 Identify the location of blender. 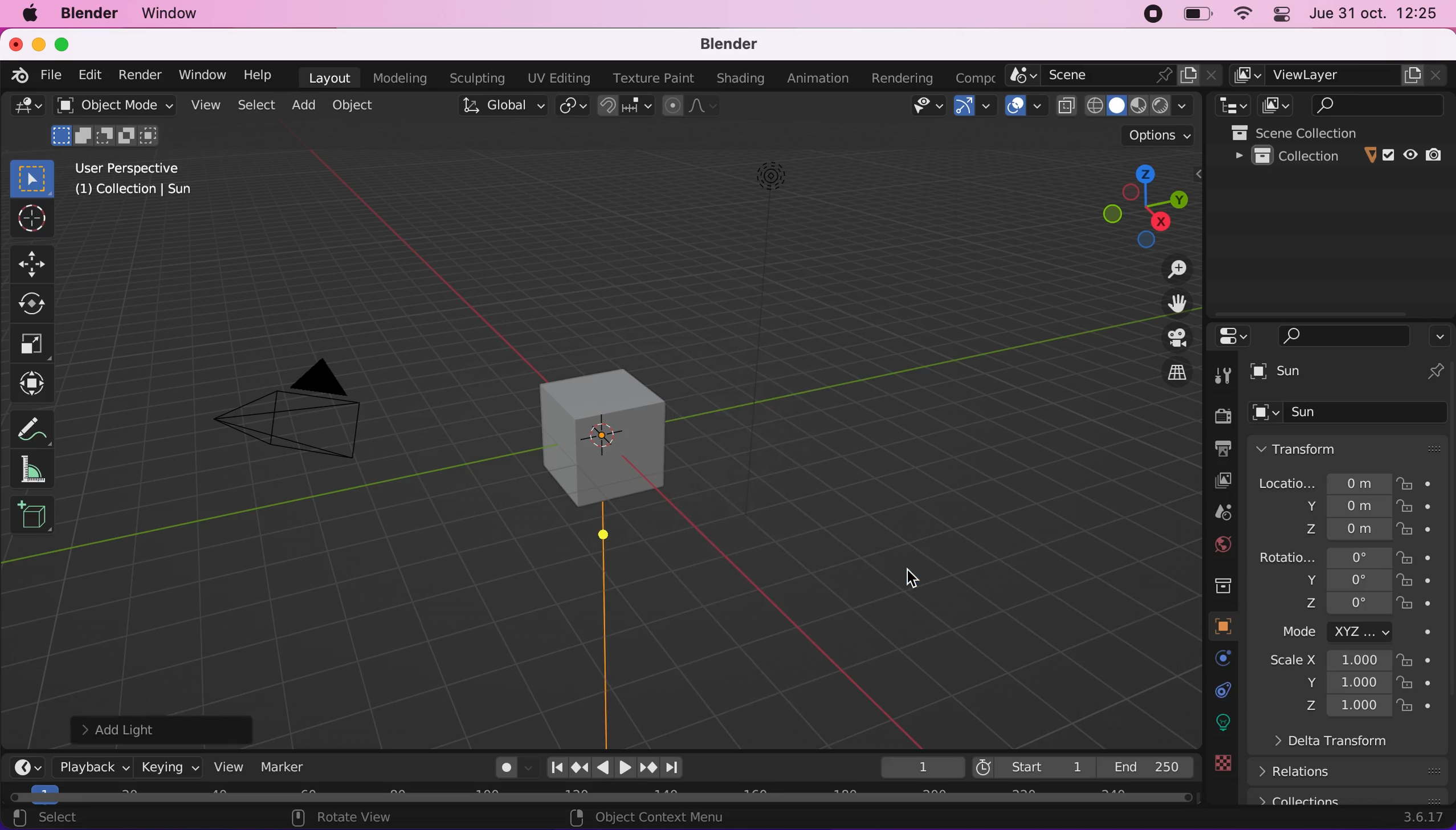
(93, 15).